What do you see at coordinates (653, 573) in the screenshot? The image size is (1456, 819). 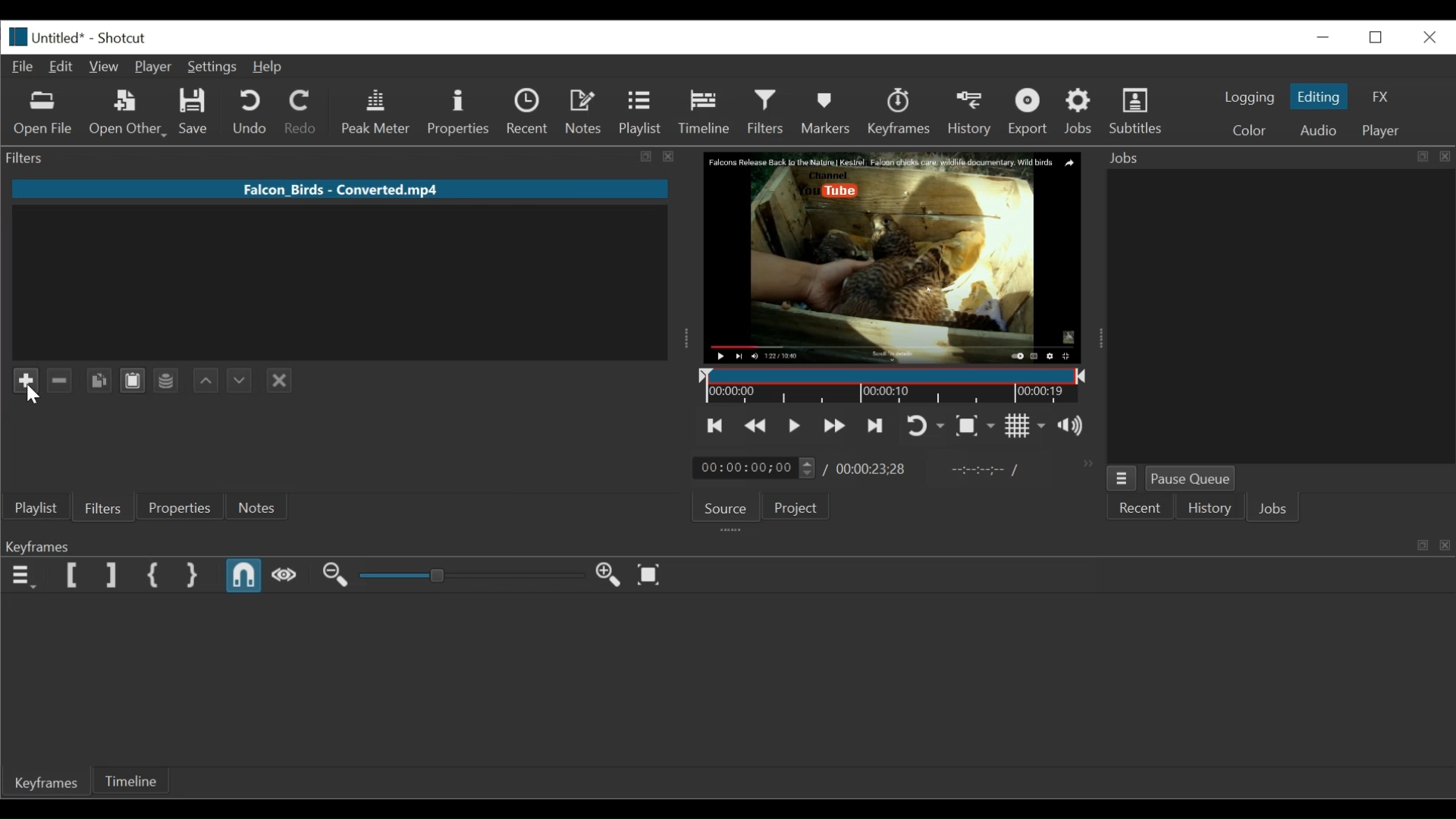 I see `Zoom keyframe to fit` at bounding box center [653, 573].